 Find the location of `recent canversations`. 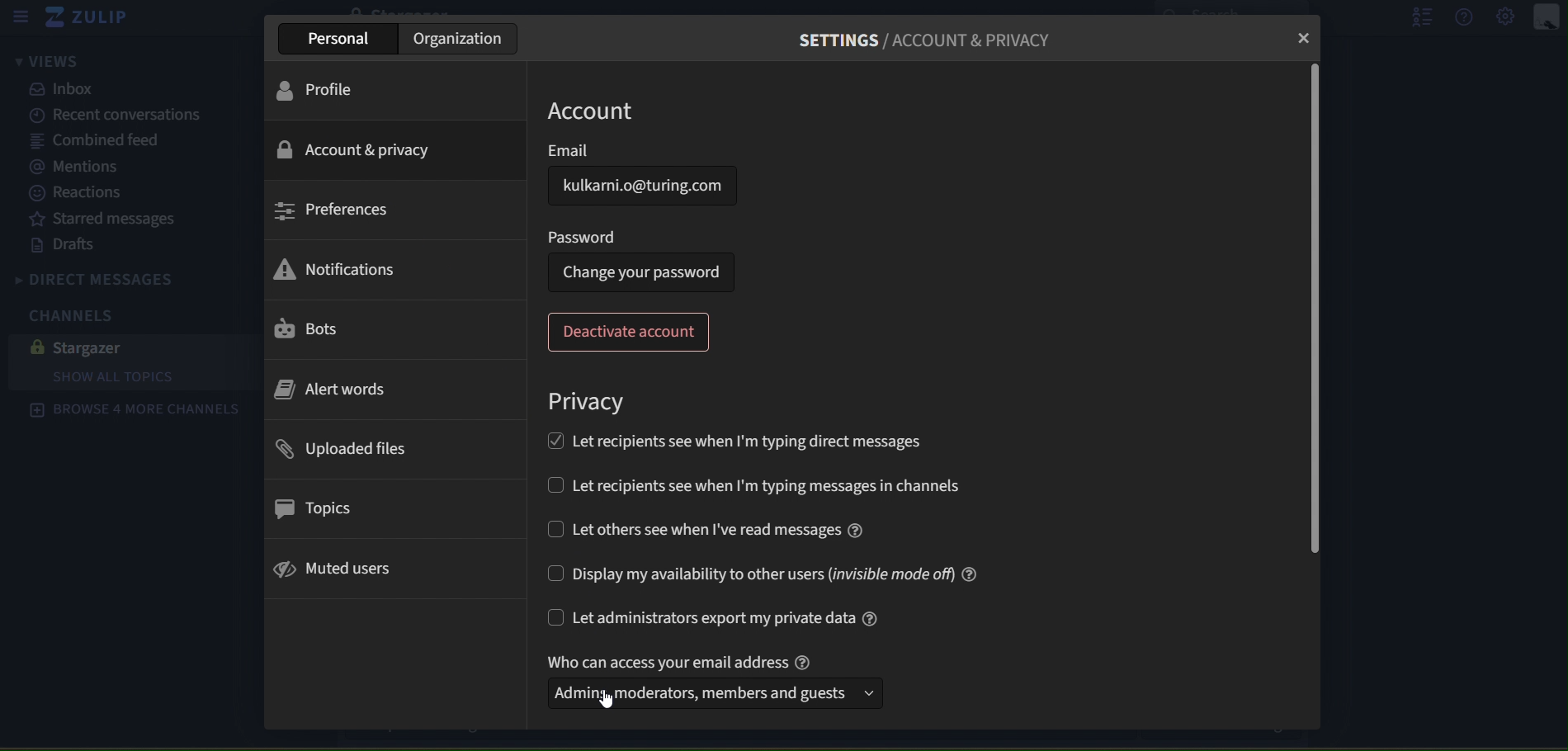

recent canversations is located at coordinates (106, 116).